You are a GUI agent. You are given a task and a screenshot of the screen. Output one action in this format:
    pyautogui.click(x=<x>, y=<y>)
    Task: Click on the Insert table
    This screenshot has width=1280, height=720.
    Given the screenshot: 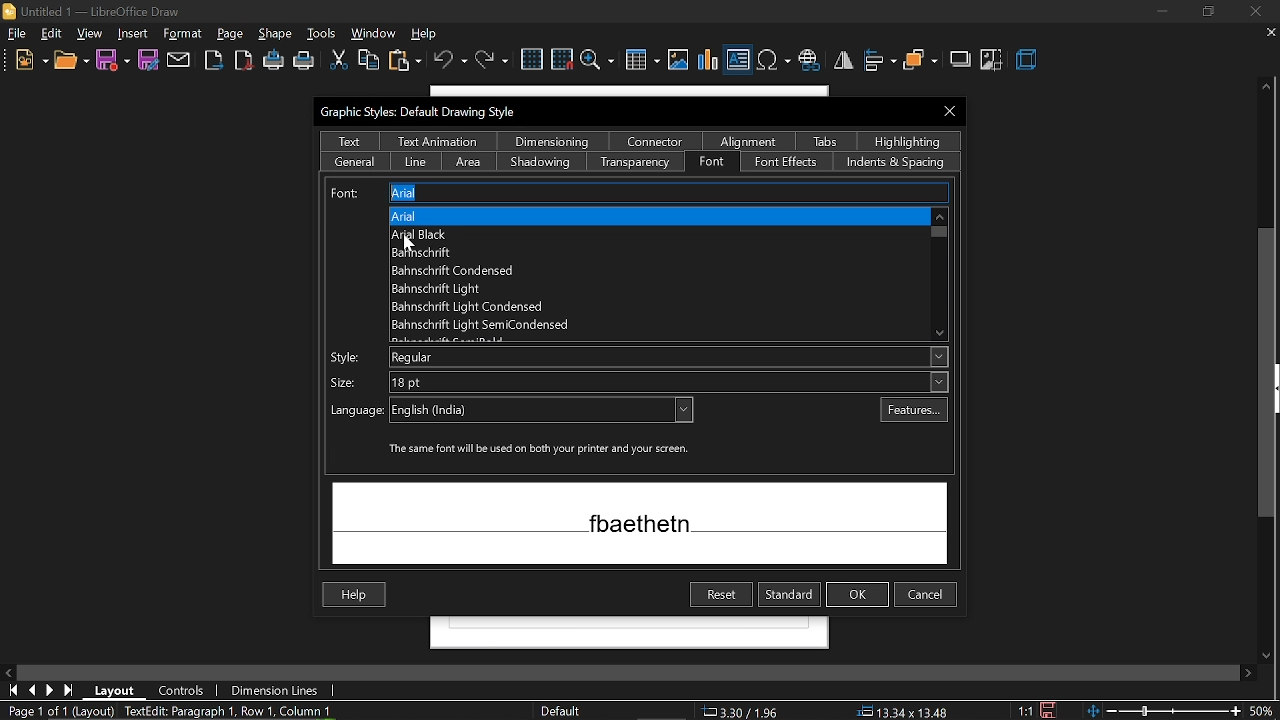 What is the action you would take?
    pyautogui.click(x=642, y=61)
    